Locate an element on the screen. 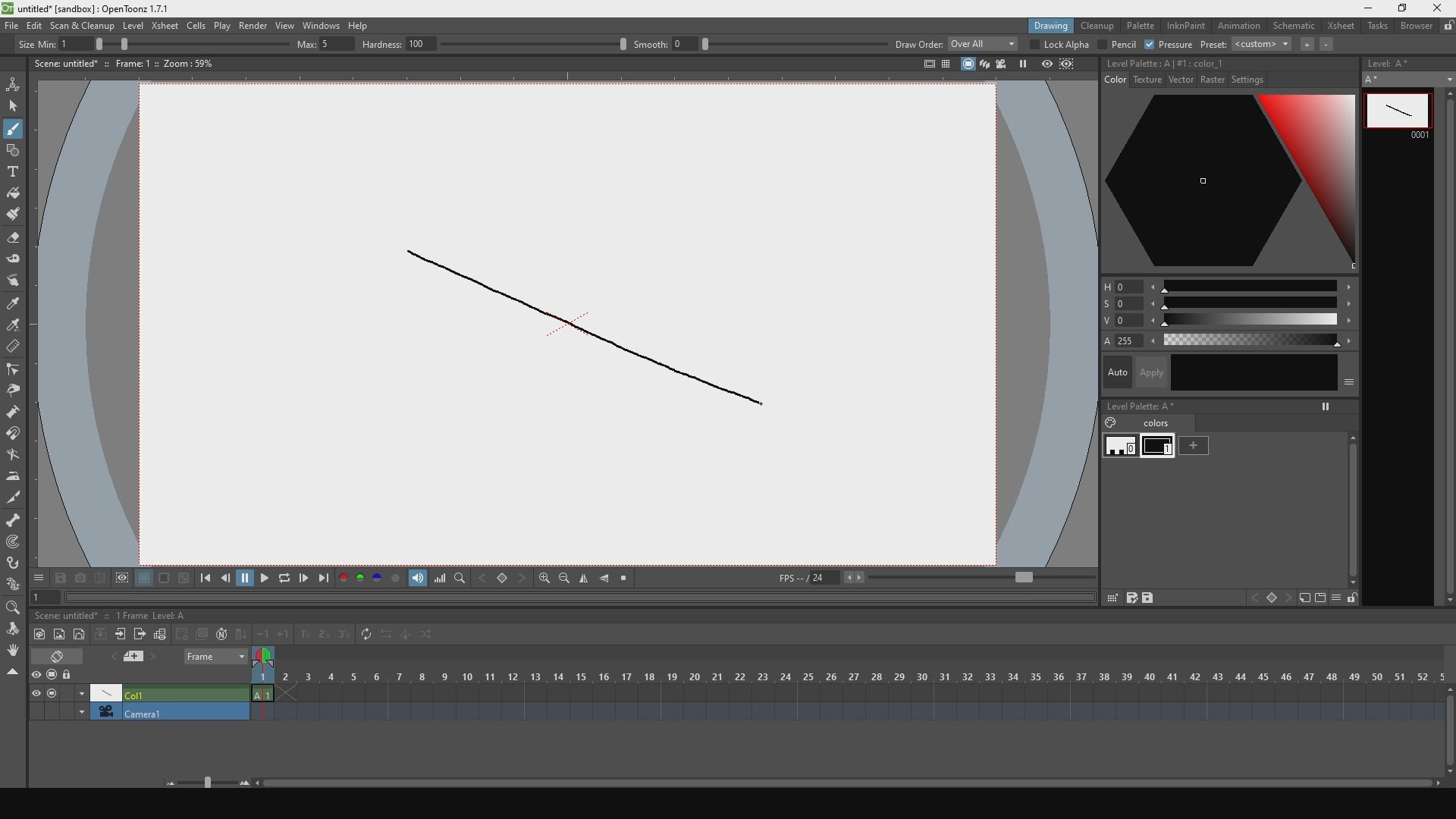 This screenshot has width=1456, height=819. replay is located at coordinates (287, 582).